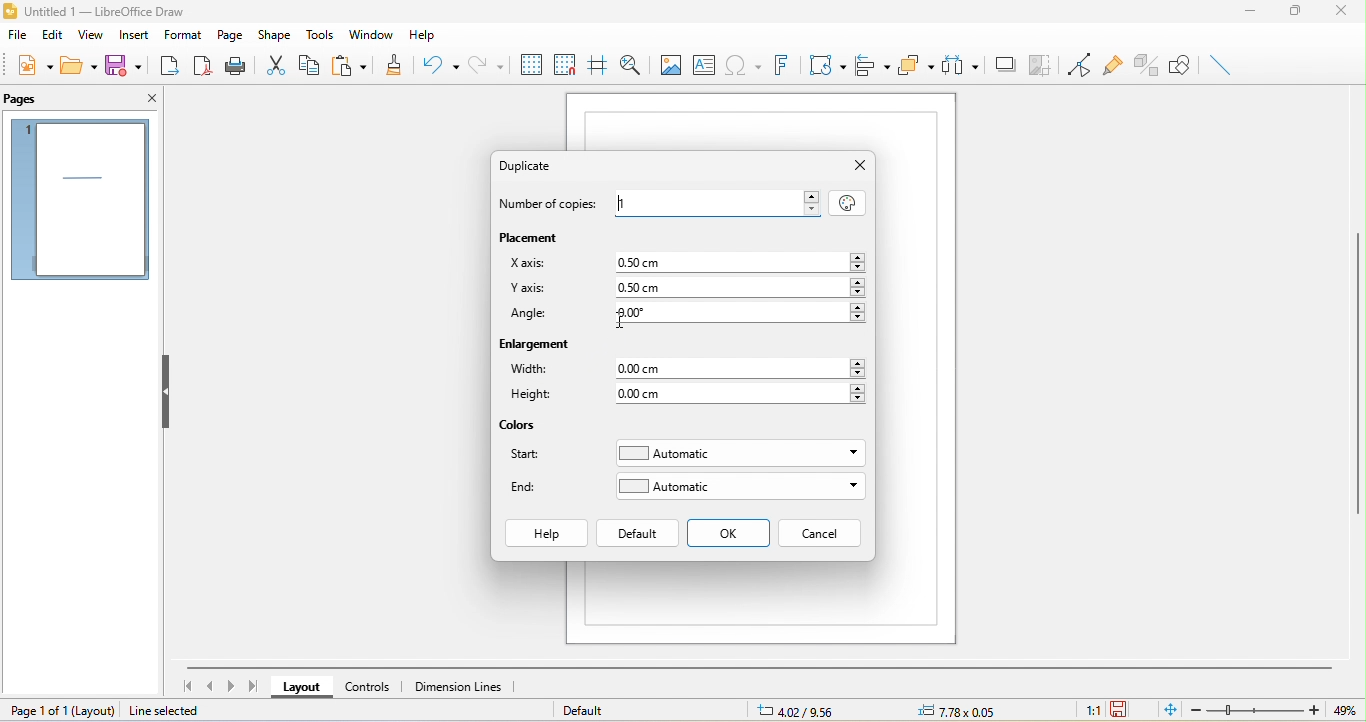  Describe the element at coordinates (1074, 62) in the screenshot. I see `toggle point edit mode` at that location.